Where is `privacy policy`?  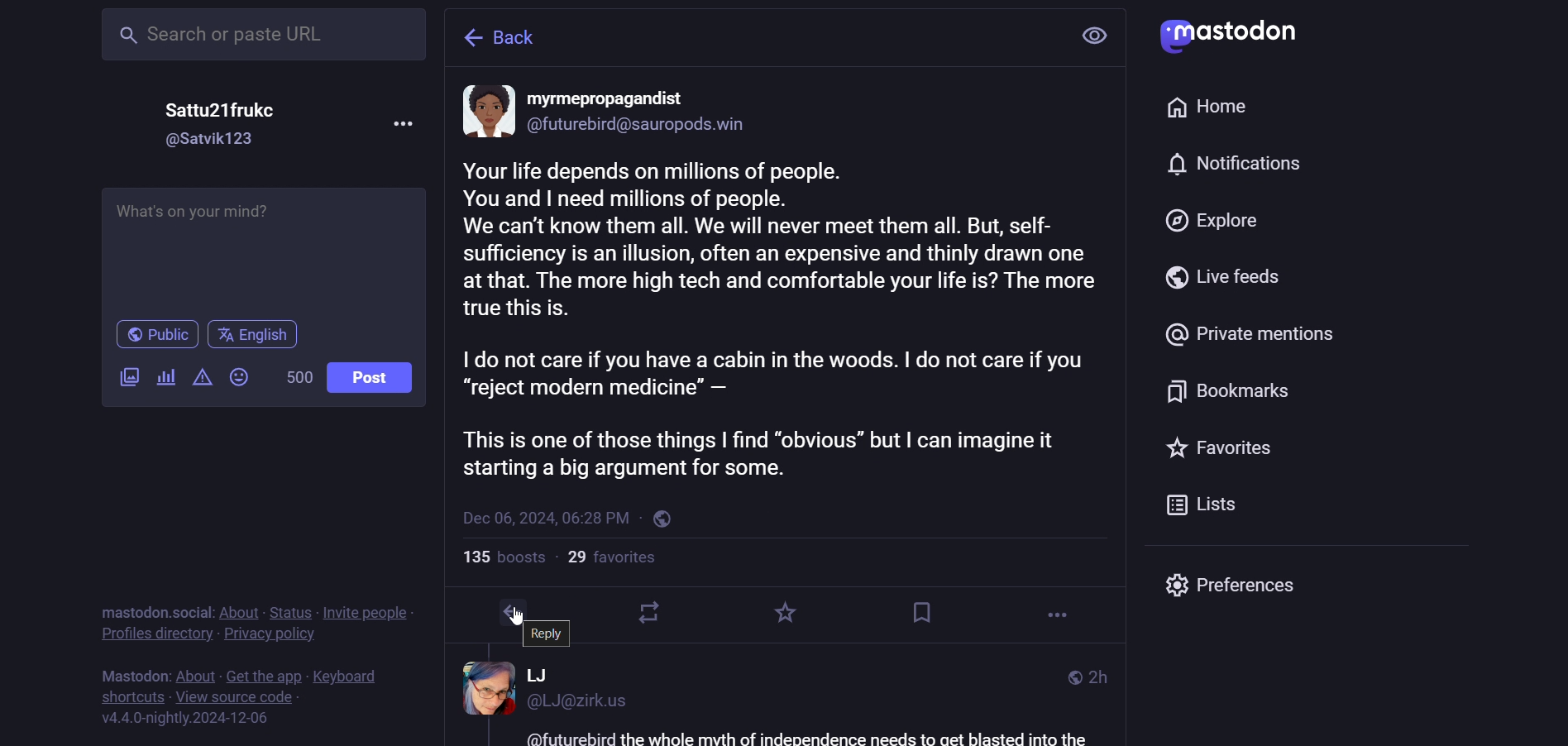
privacy policy is located at coordinates (273, 634).